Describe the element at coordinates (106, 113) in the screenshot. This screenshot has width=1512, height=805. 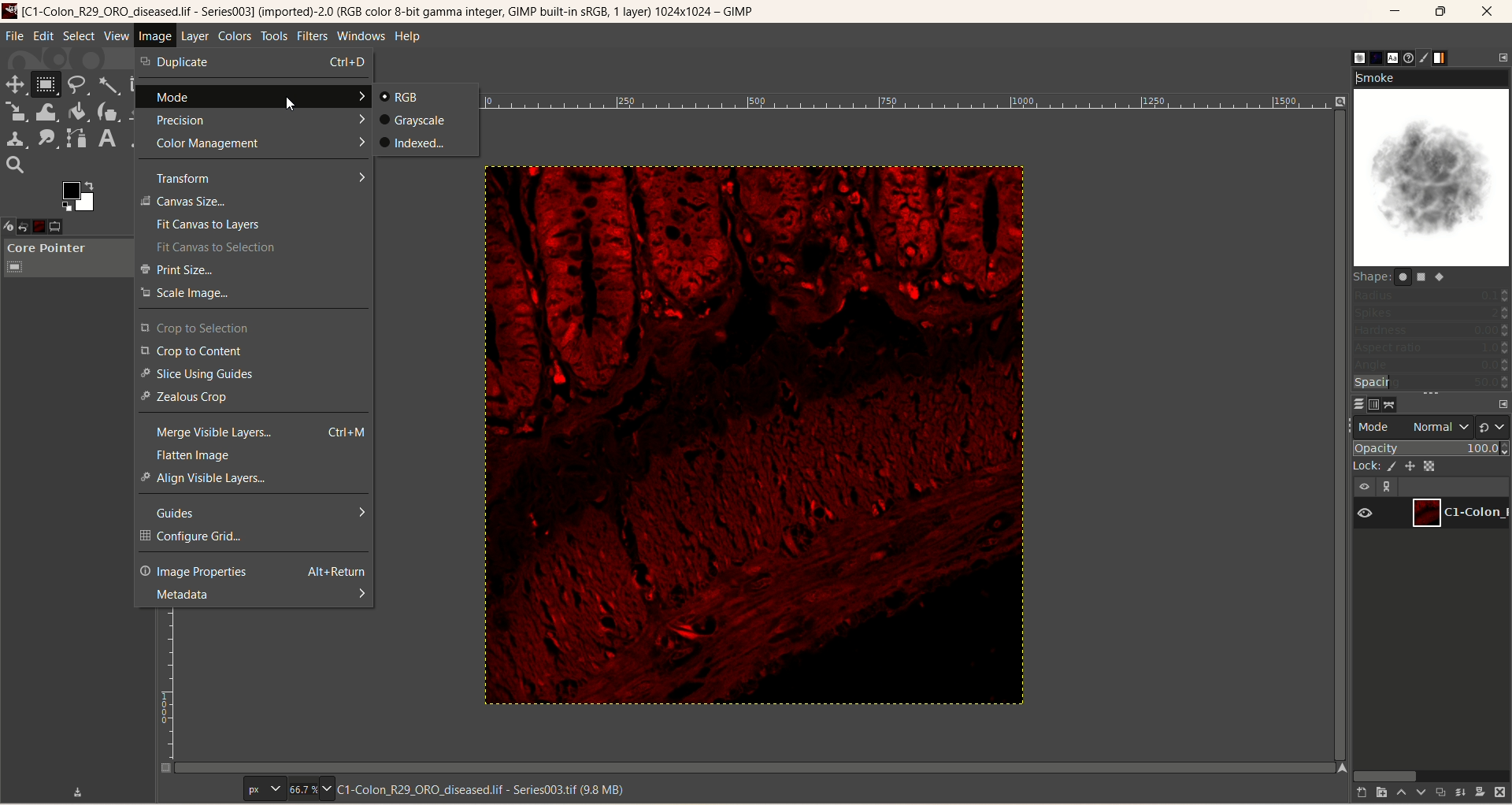
I see `ink tool` at that location.